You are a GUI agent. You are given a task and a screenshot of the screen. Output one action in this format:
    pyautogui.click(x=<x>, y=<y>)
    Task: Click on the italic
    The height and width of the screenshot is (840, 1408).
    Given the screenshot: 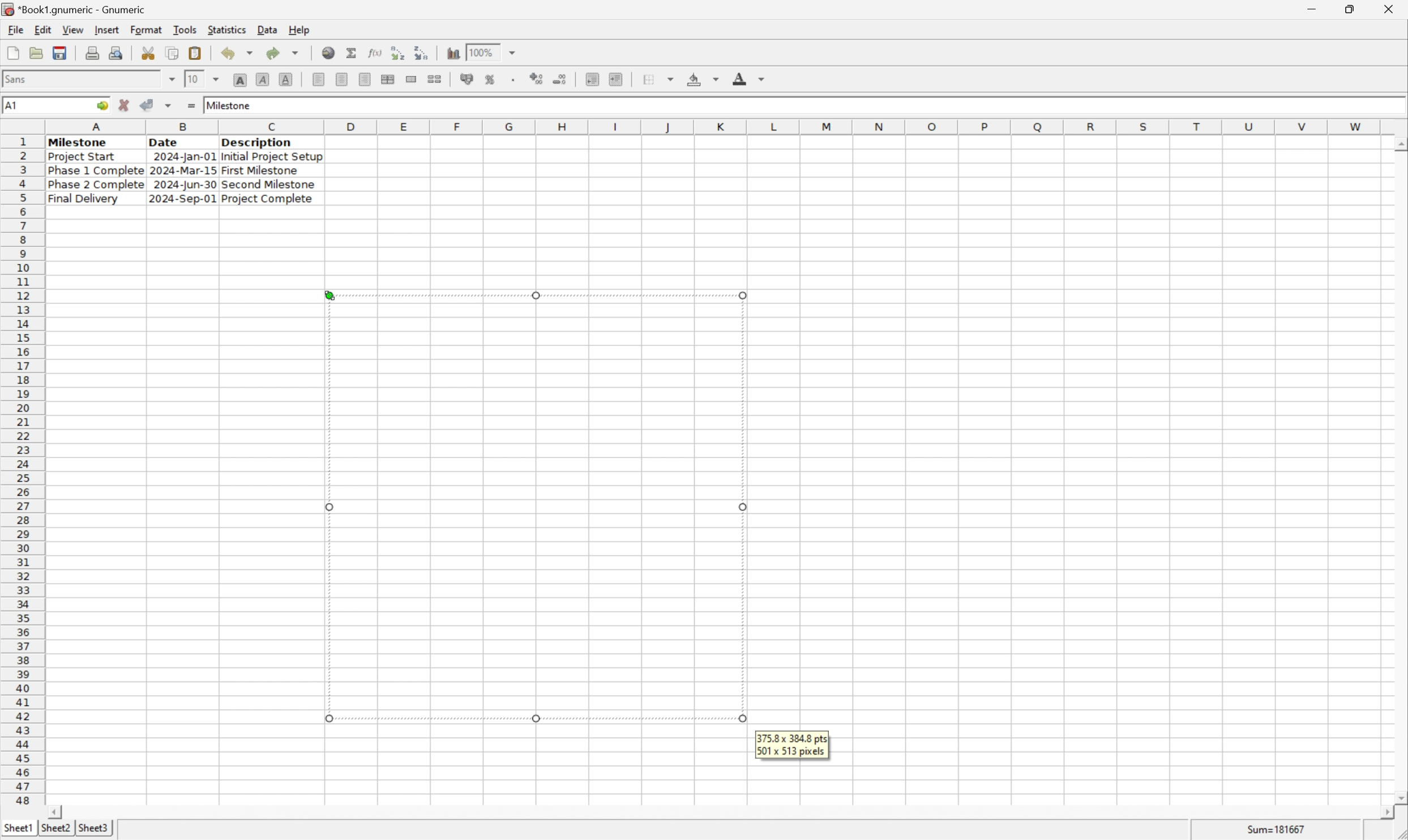 What is the action you would take?
    pyautogui.click(x=263, y=79)
    